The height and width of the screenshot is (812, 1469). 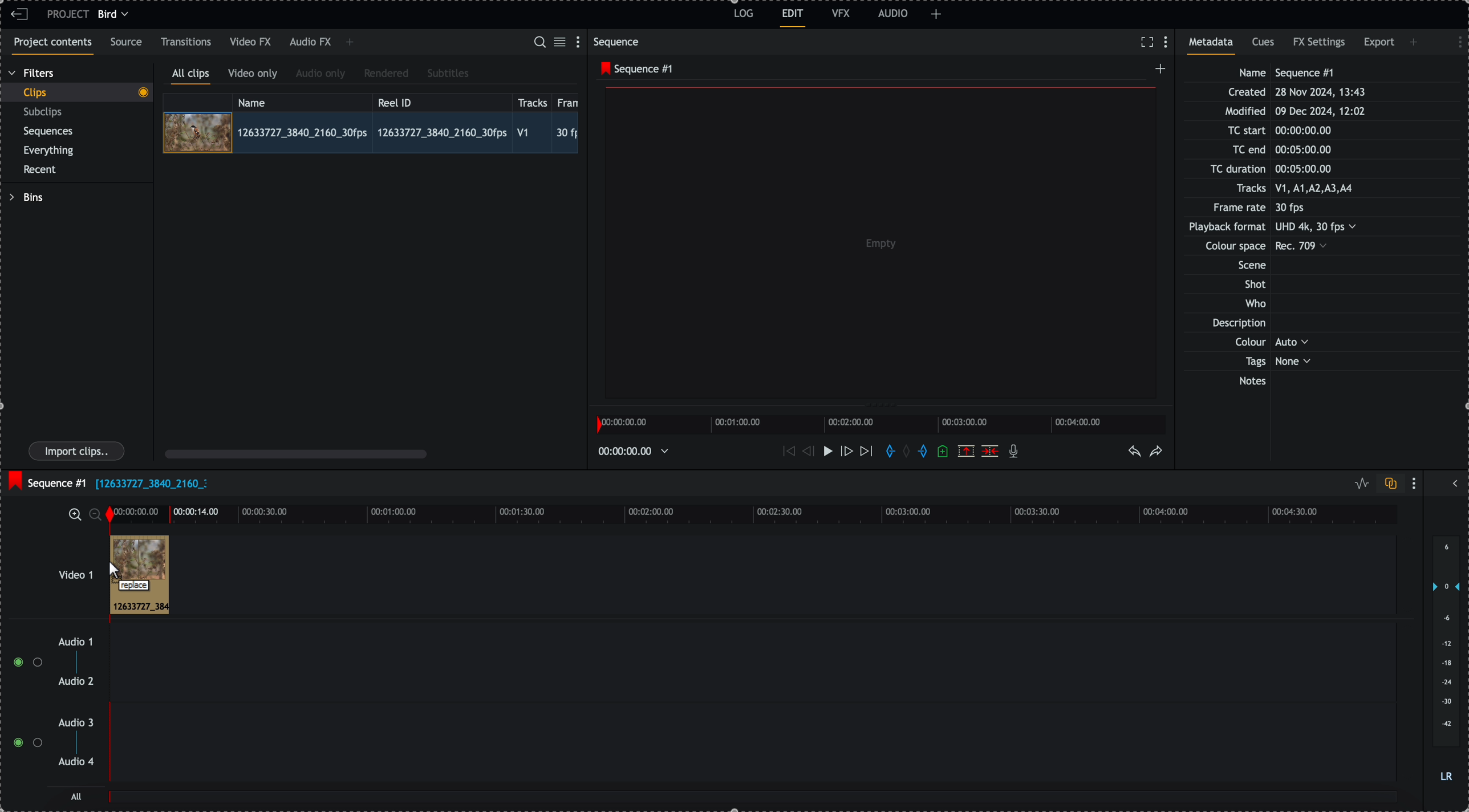 What do you see at coordinates (752, 749) in the screenshot?
I see `track audio` at bounding box center [752, 749].